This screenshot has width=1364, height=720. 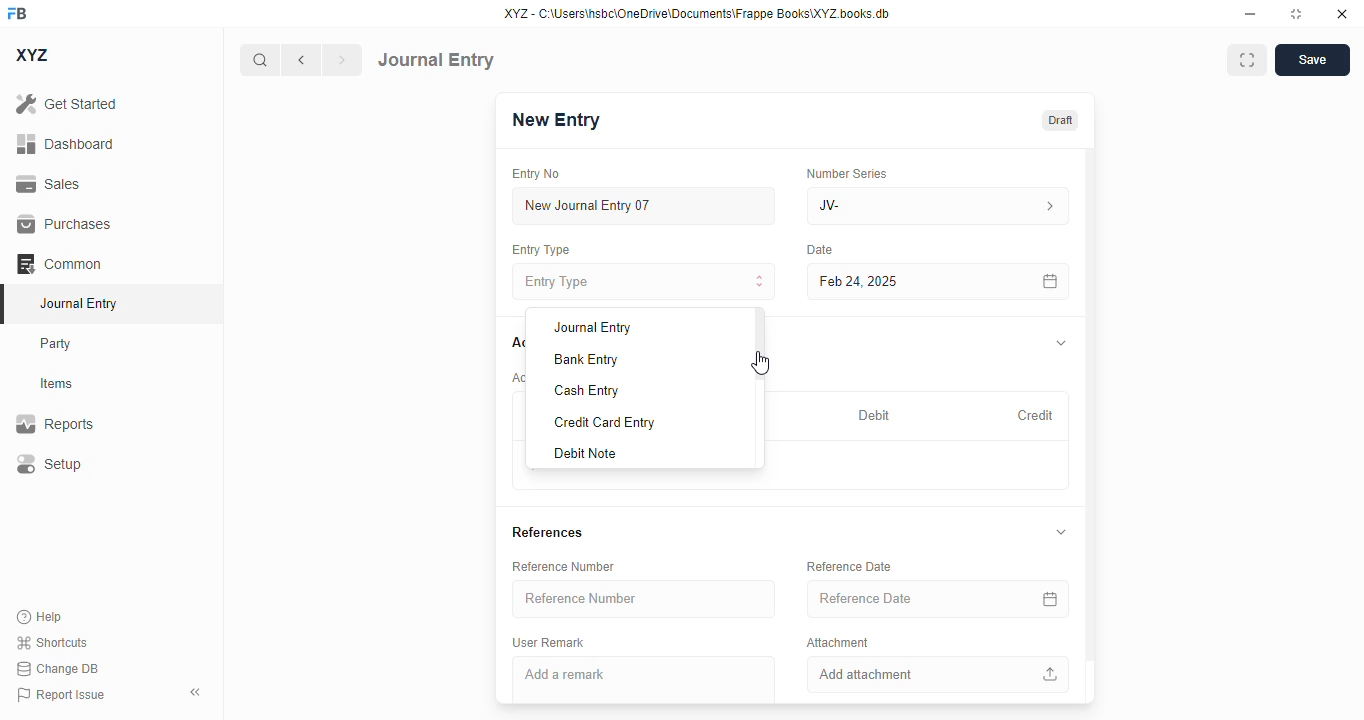 I want to click on journal entry, so click(x=436, y=60).